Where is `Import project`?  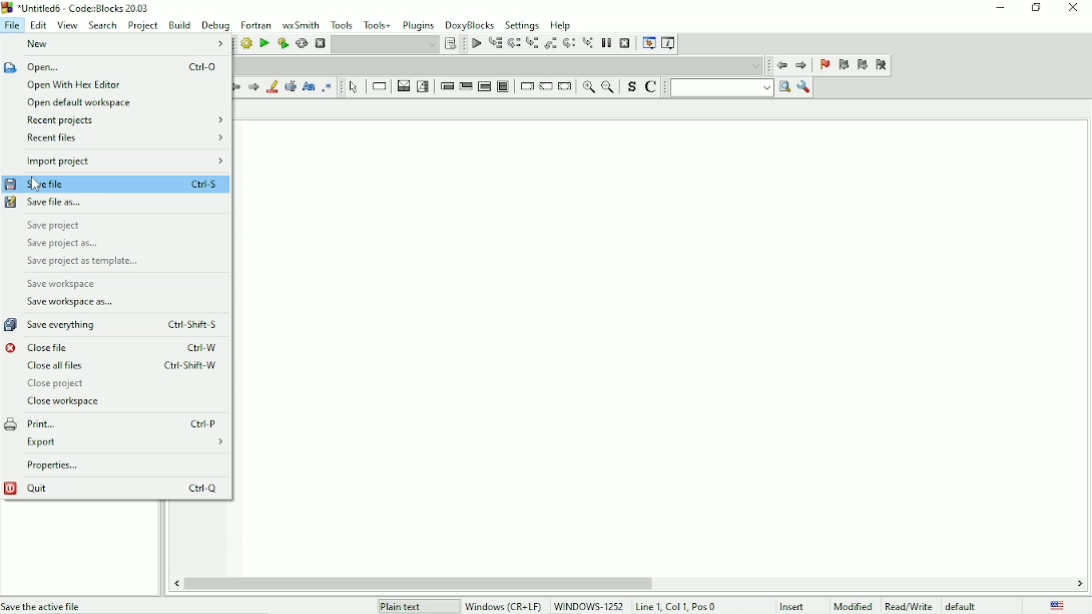 Import project is located at coordinates (124, 160).